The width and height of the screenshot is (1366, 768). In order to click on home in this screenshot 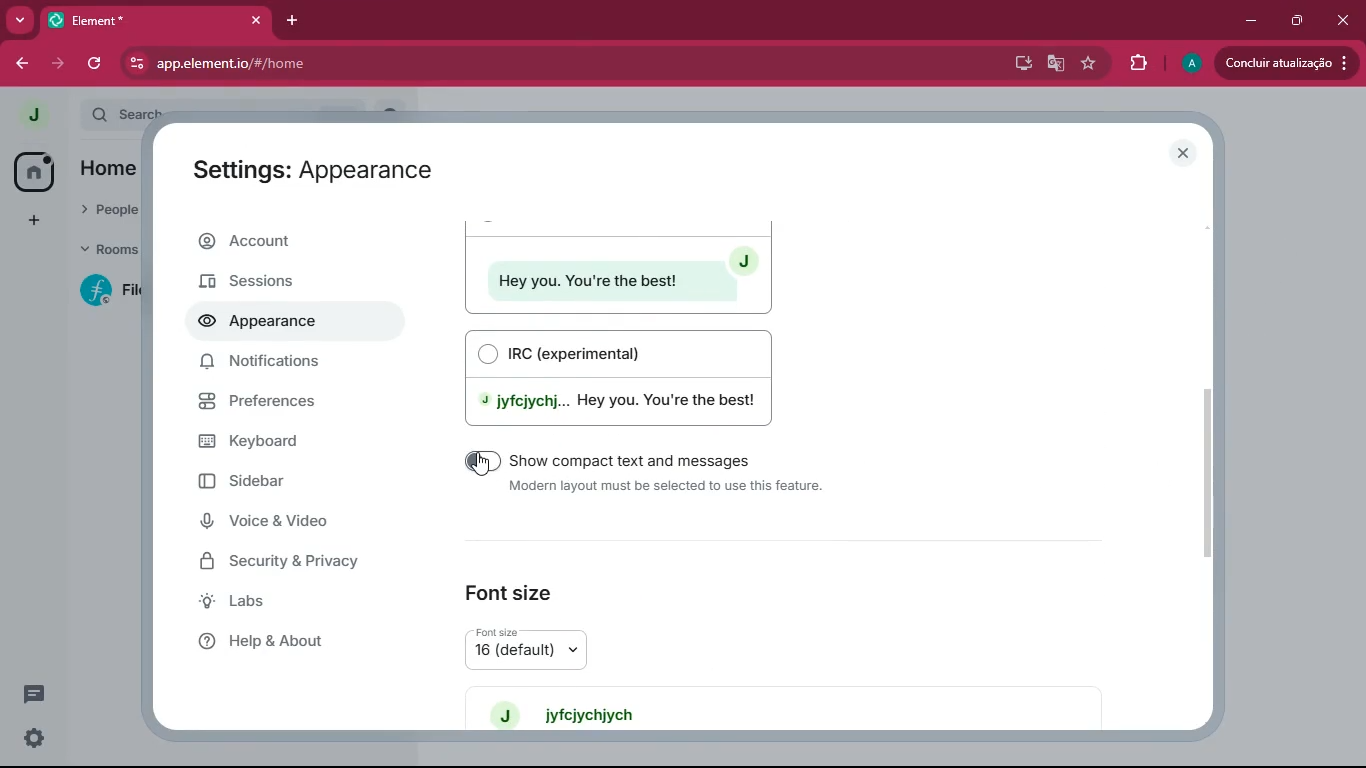, I will do `click(33, 171)`.